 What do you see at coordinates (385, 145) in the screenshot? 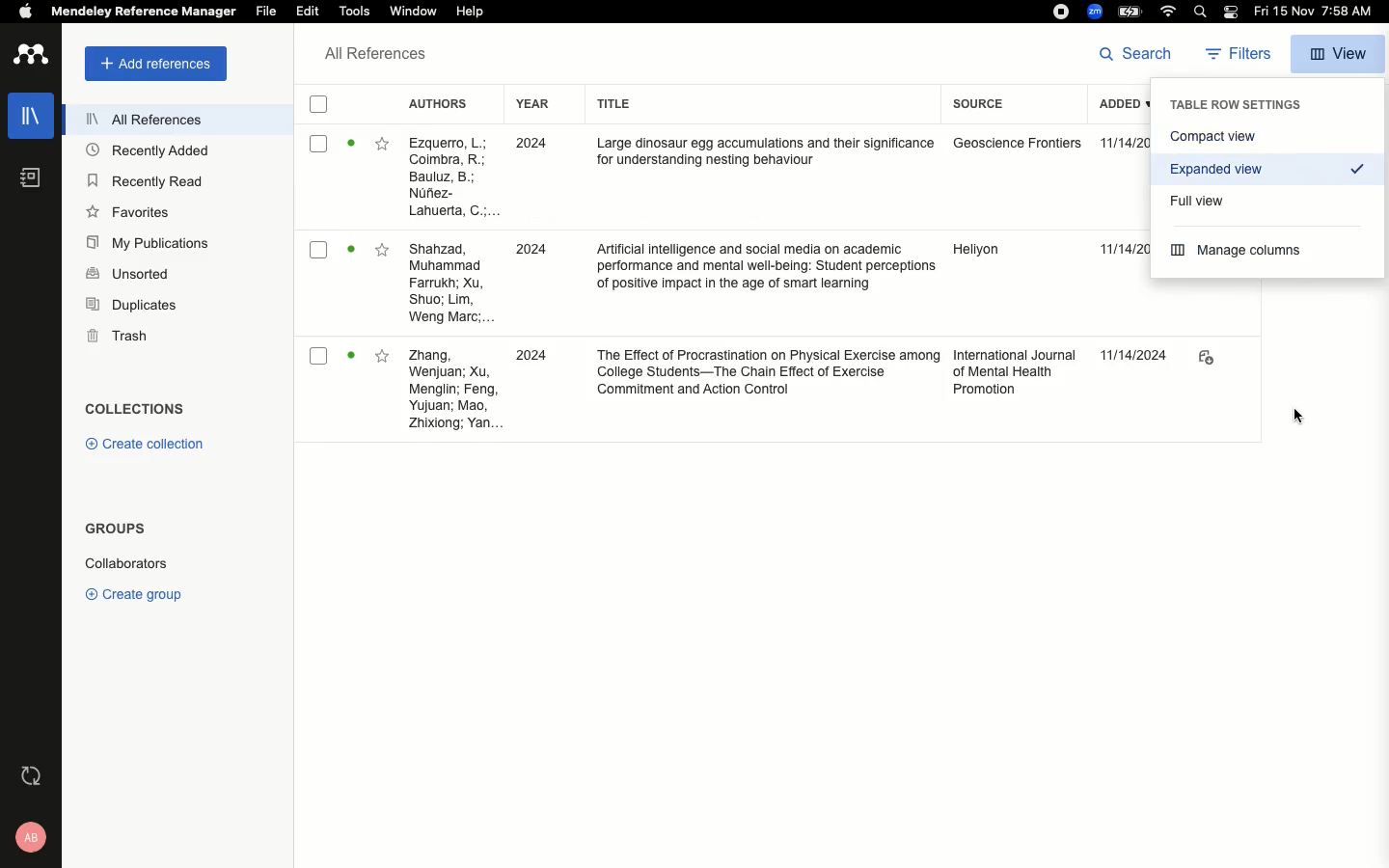
I see `Favorites` at bounding box center [385, 145].